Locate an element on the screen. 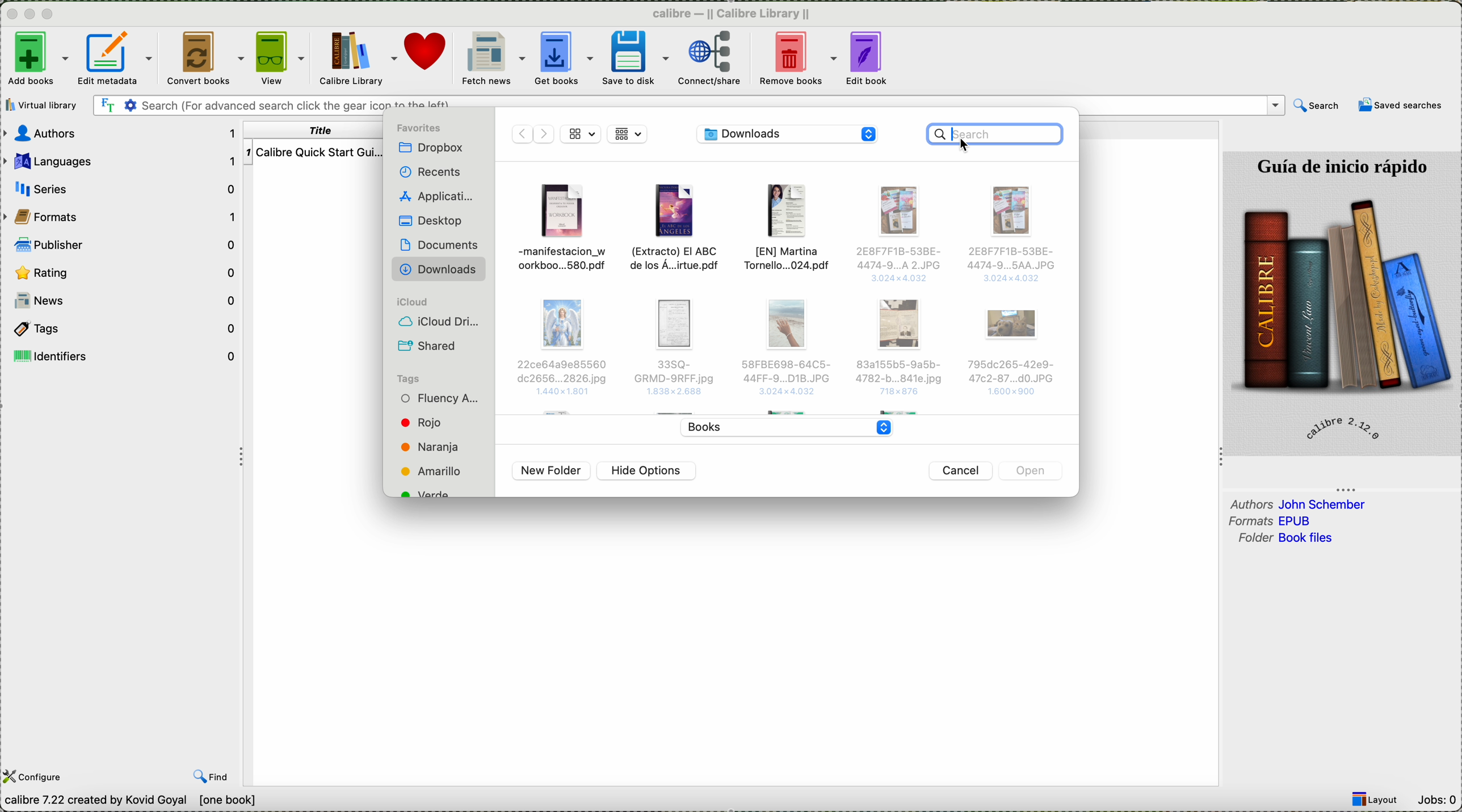 The width and height of the screenshot is (1462, 812). image quick start guide is located at coordinates (1343, 303).